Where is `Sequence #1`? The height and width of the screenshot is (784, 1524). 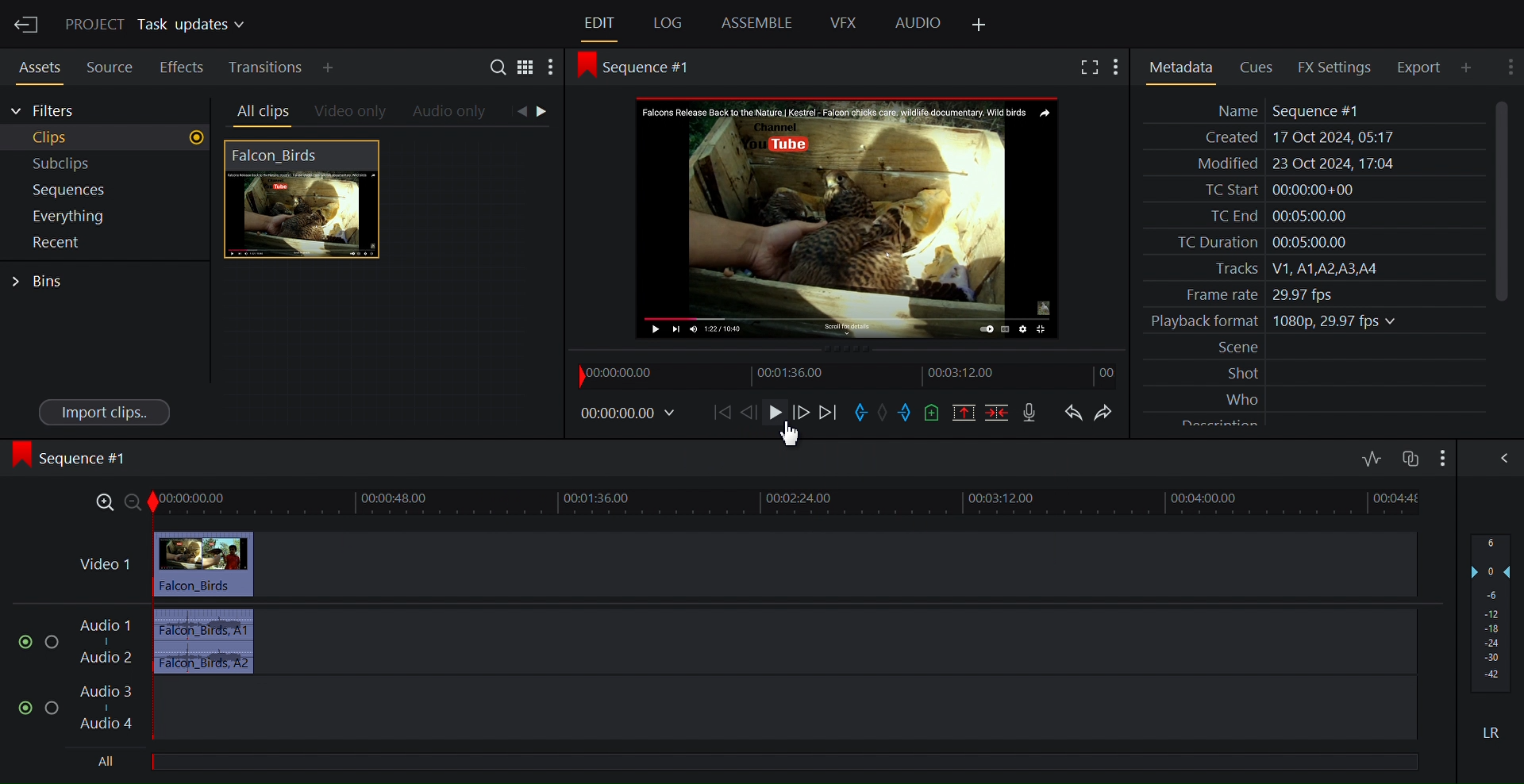
Sequence #1 is located at coordinates (75, 458).